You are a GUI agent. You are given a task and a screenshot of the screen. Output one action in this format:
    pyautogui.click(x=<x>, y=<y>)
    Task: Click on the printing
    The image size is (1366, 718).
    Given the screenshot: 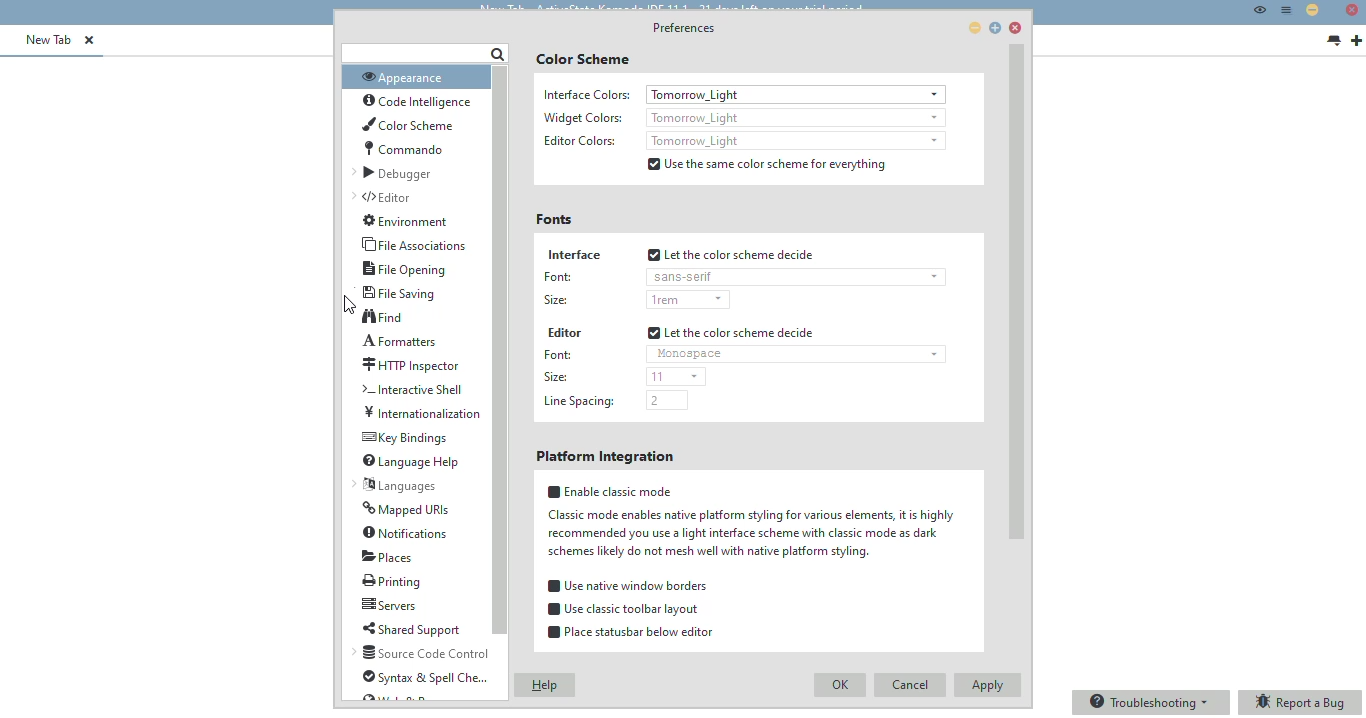 What is the action you would take?
    pyautogui.click(x=393, y=581)
    